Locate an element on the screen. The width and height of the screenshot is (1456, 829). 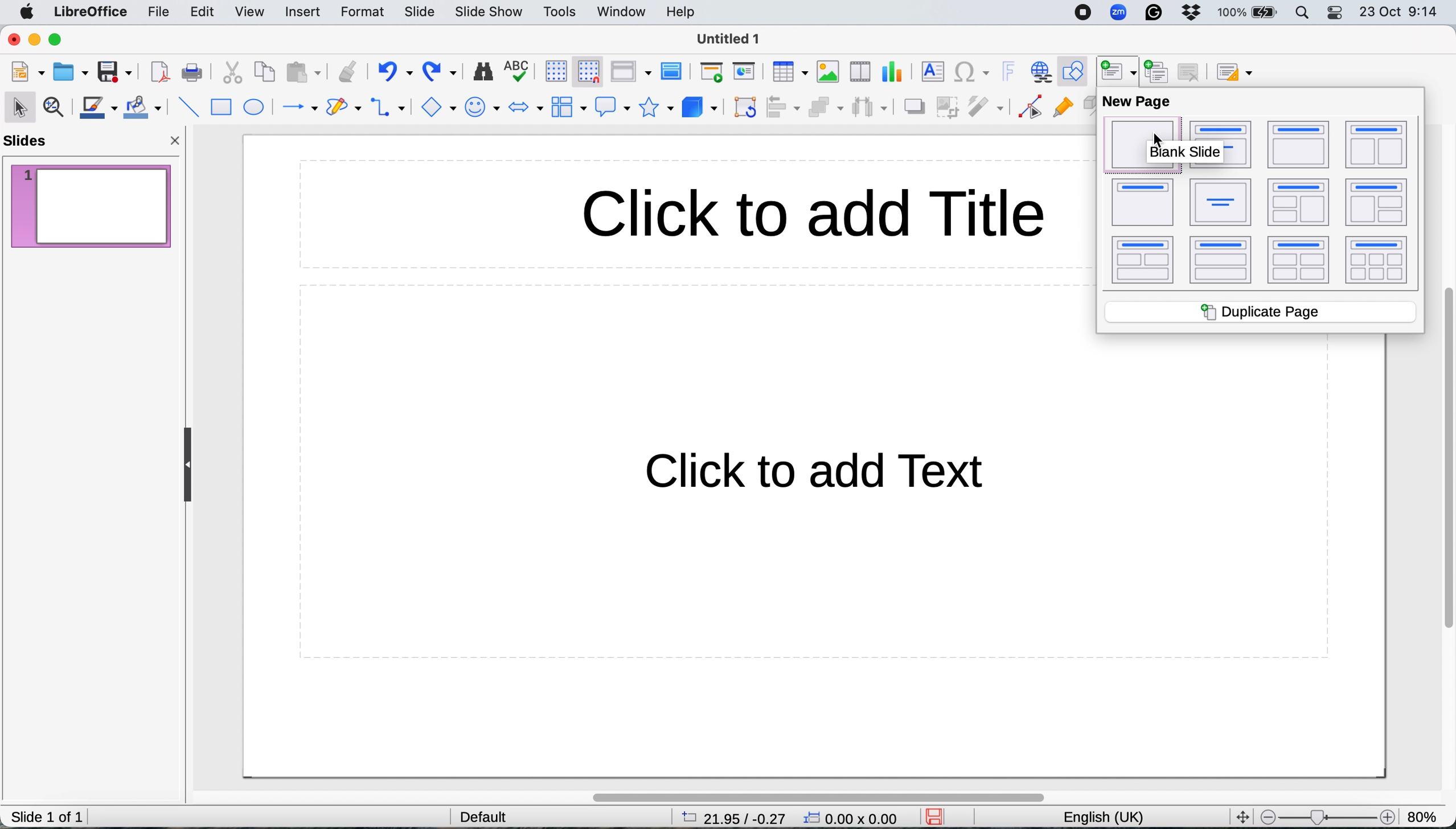
shadow is located at coordinates (913, 106).